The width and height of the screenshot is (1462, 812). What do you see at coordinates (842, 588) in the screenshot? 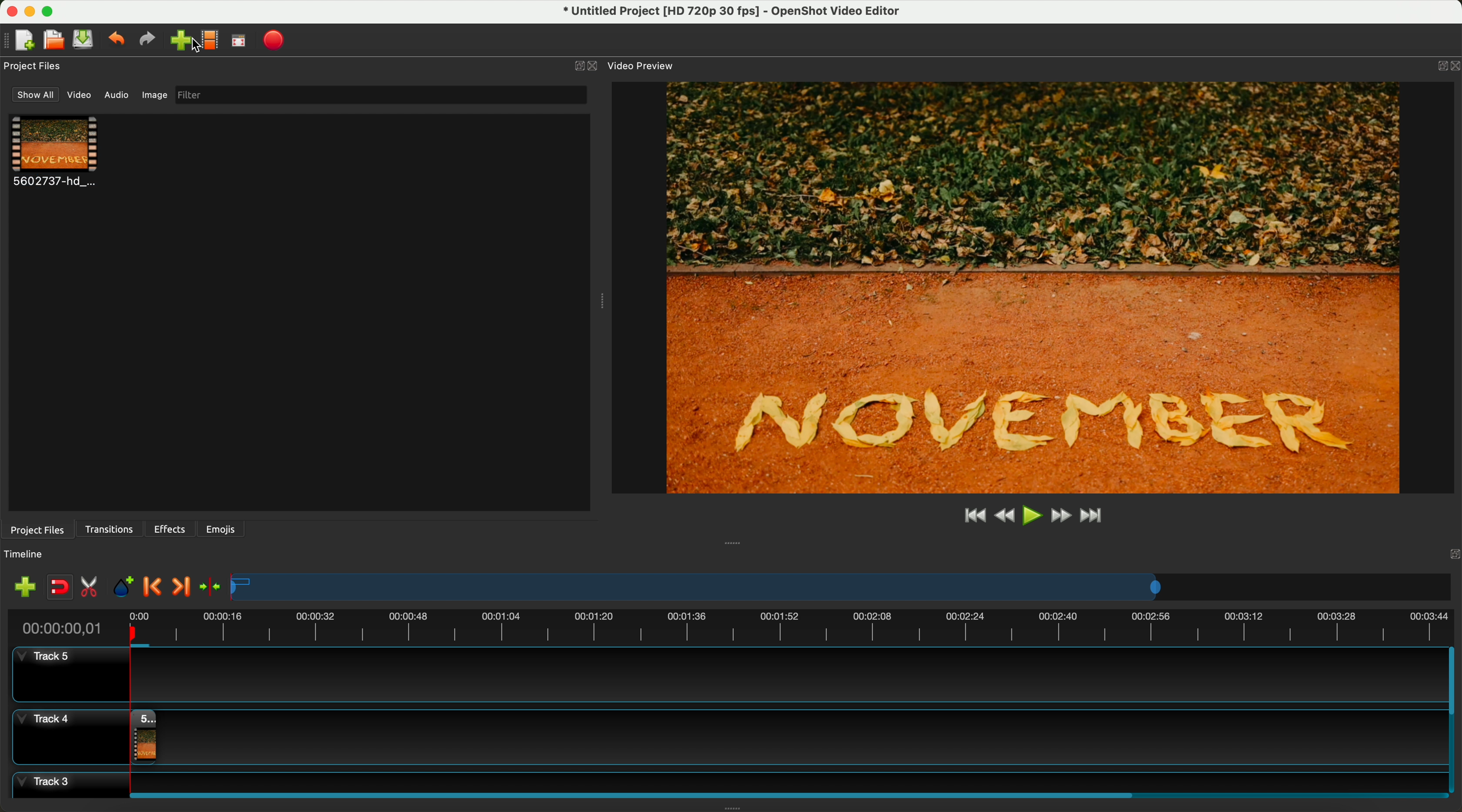
I see `timeline` at bounding box center [842, 588].